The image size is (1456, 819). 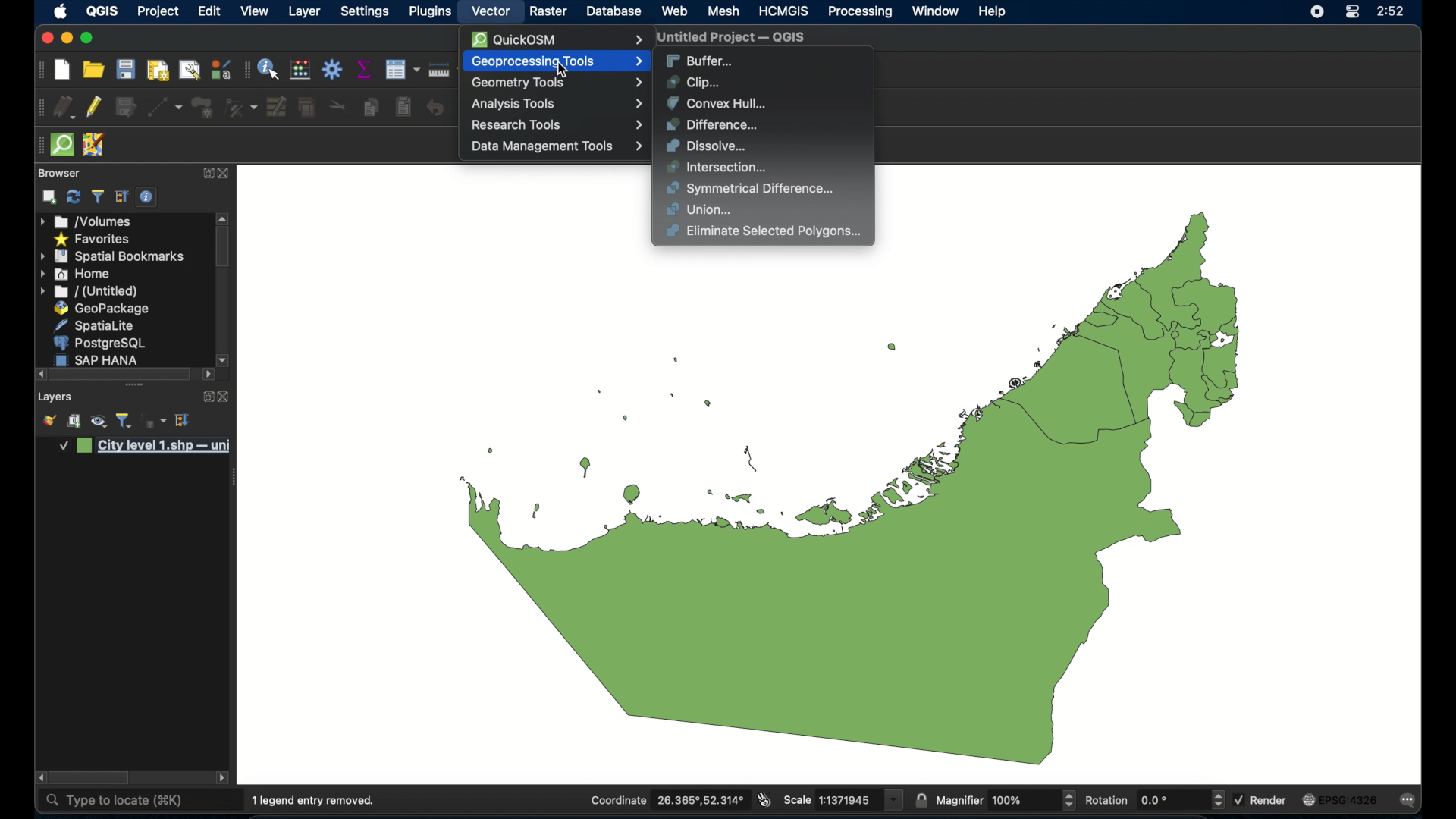 What do you see at coordinates (556, 39) in the screenshot?
I see `quickosm` at bounding box center [556, 39].